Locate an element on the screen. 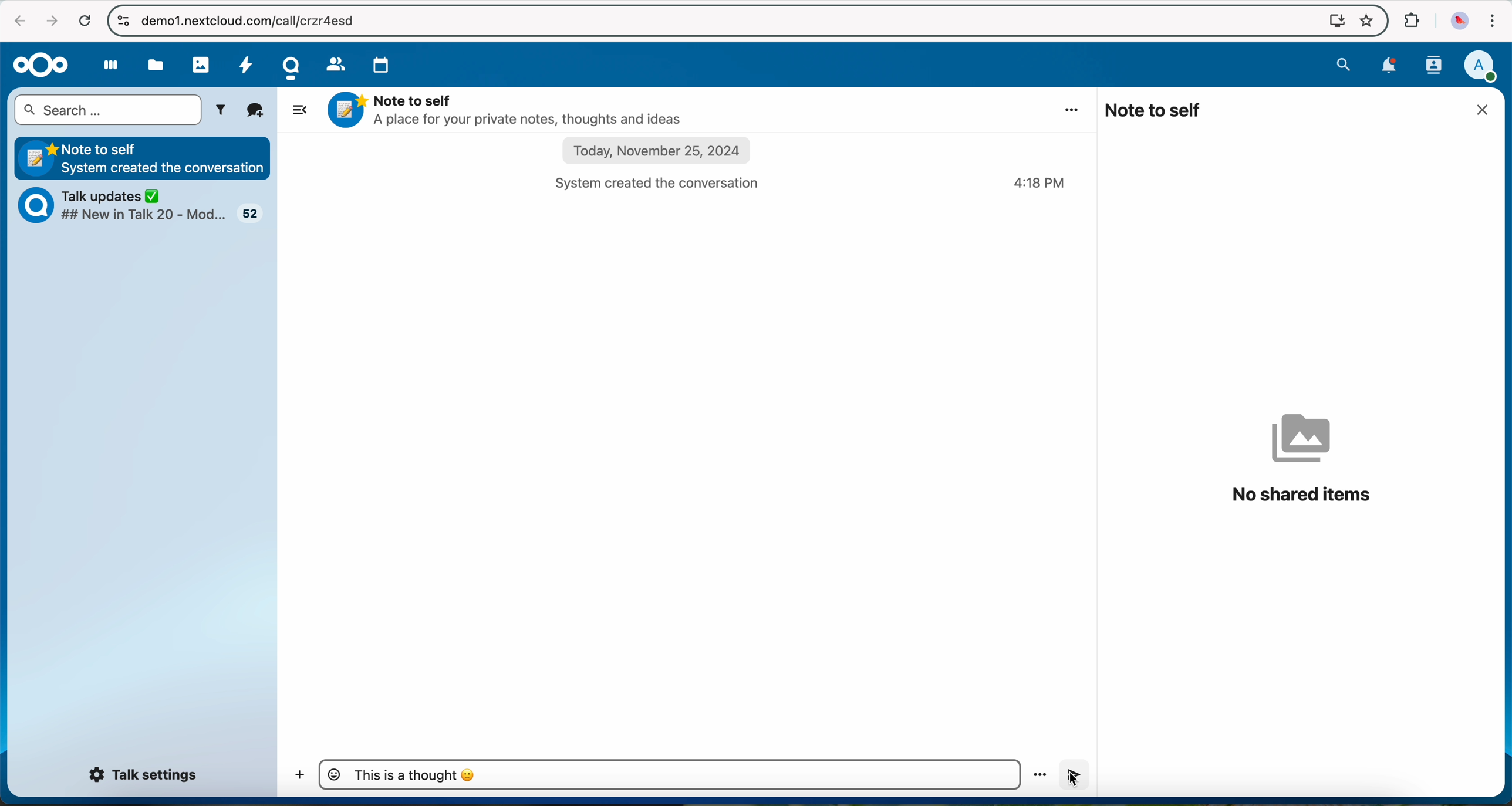 Image resolution: width=1512 pixels, height=806 pixels. navigate foward is located at coordinates (51, 22).